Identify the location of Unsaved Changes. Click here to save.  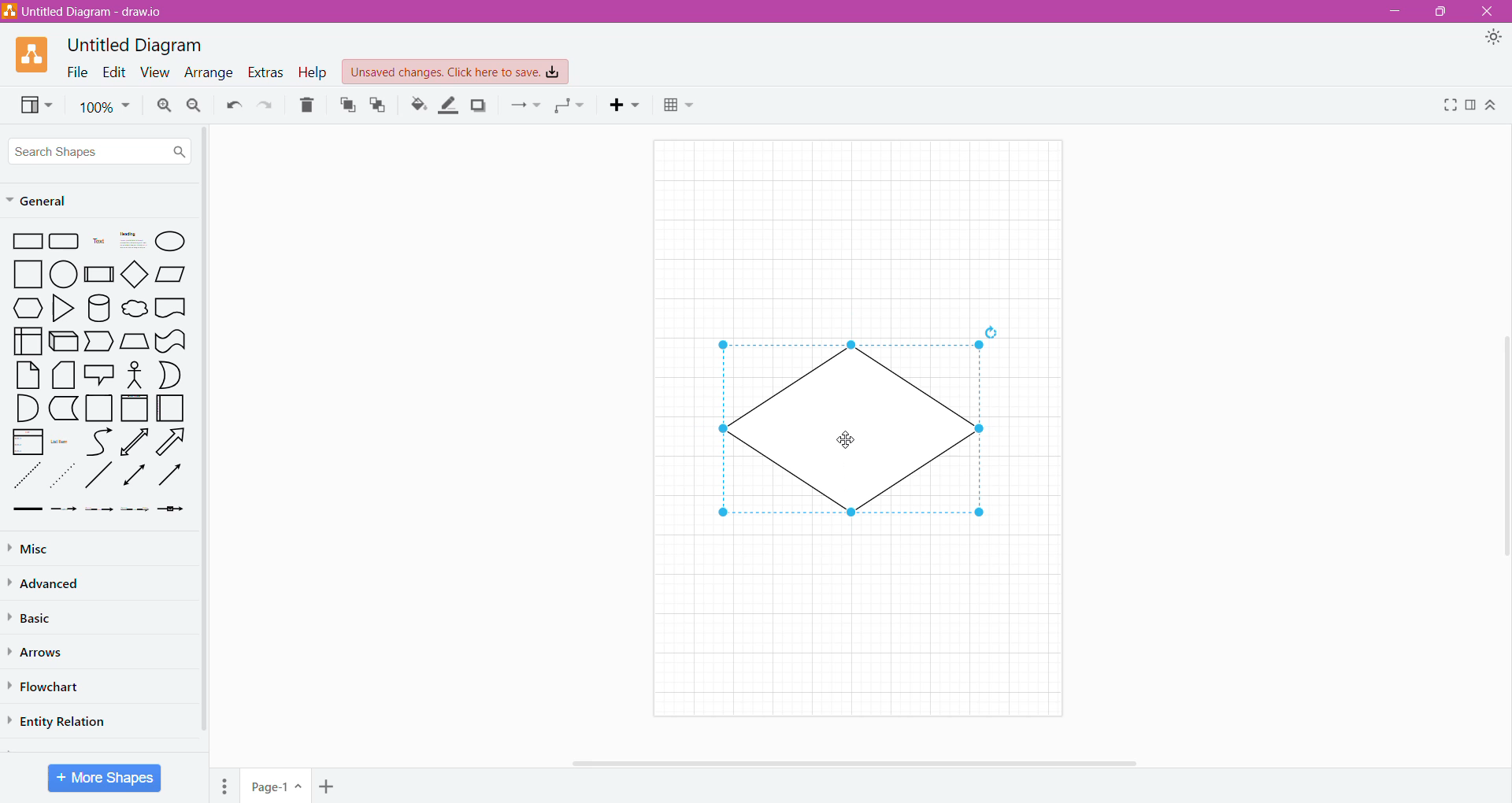
(456, 72).